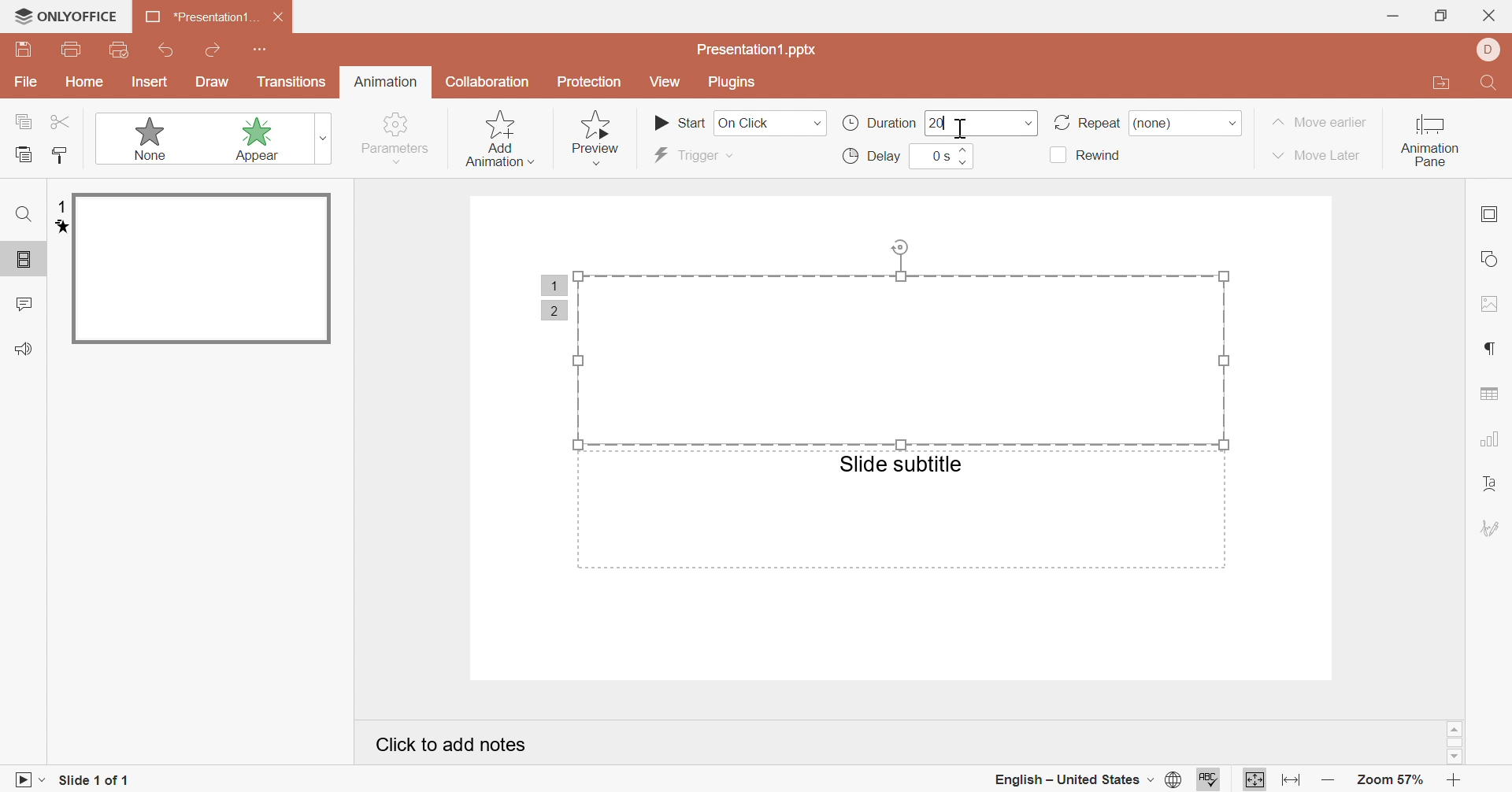 The height and width of the screenshot is (792, 1512). What do you see at coordinates (1255, 782) in the screenshot?
I see `fit to page` at bounding box center [1255, 782].